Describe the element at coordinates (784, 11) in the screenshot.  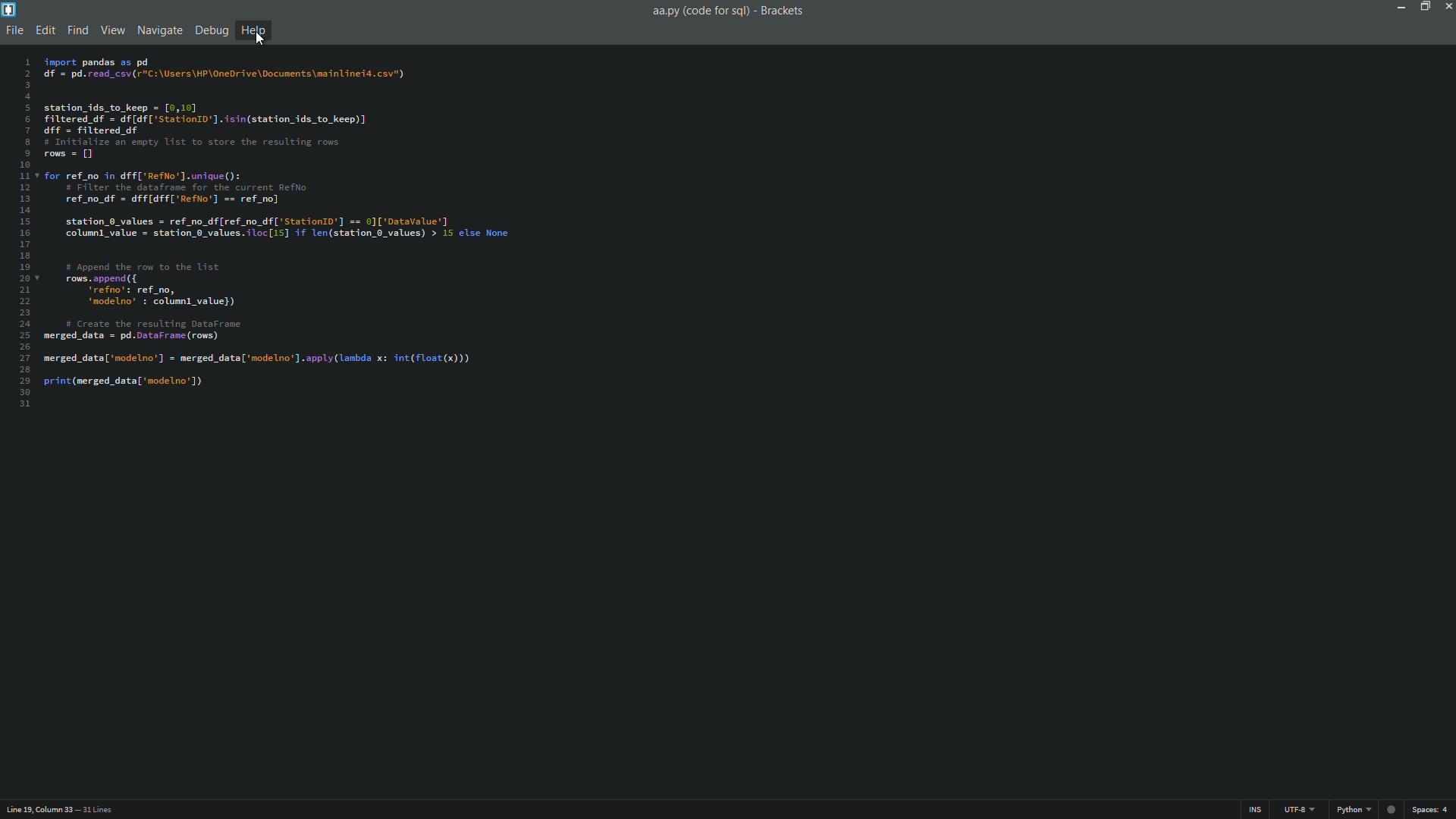
I see `Brackets` at that location.